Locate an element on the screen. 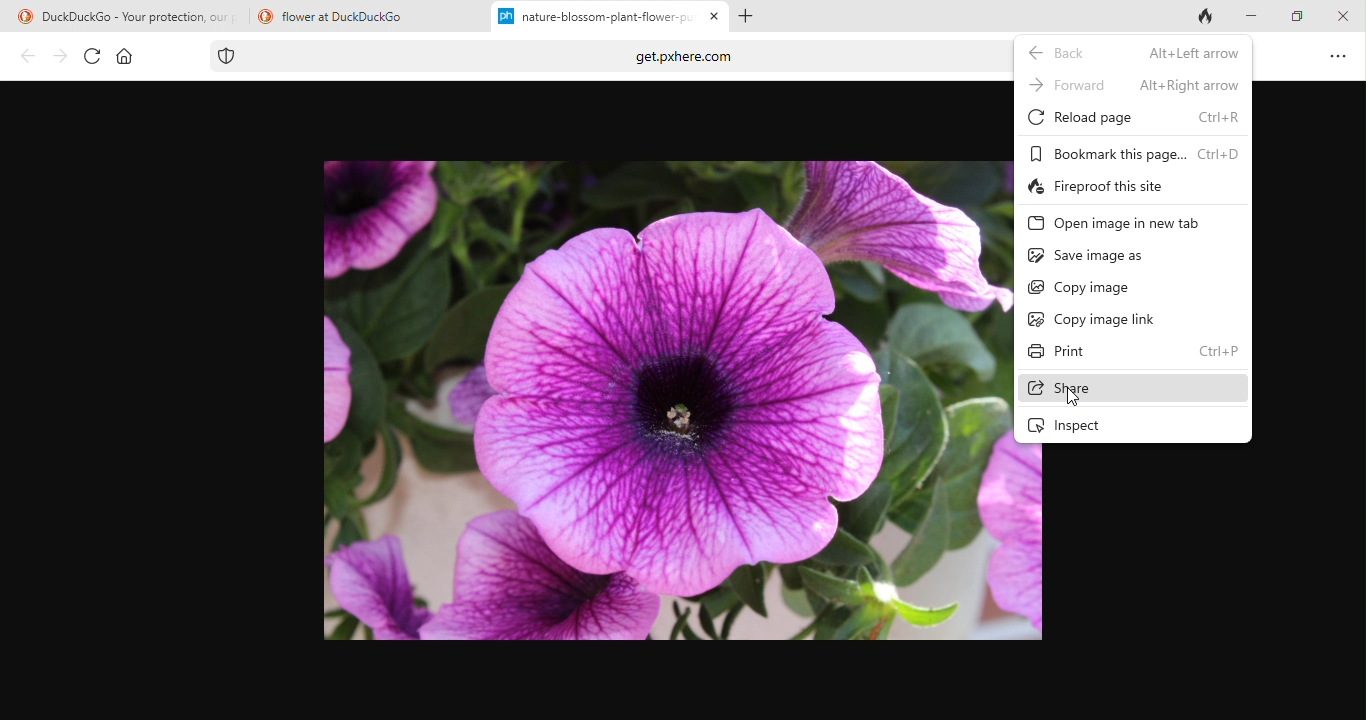  close tab and clear data is located at coordinates (1196, 19).